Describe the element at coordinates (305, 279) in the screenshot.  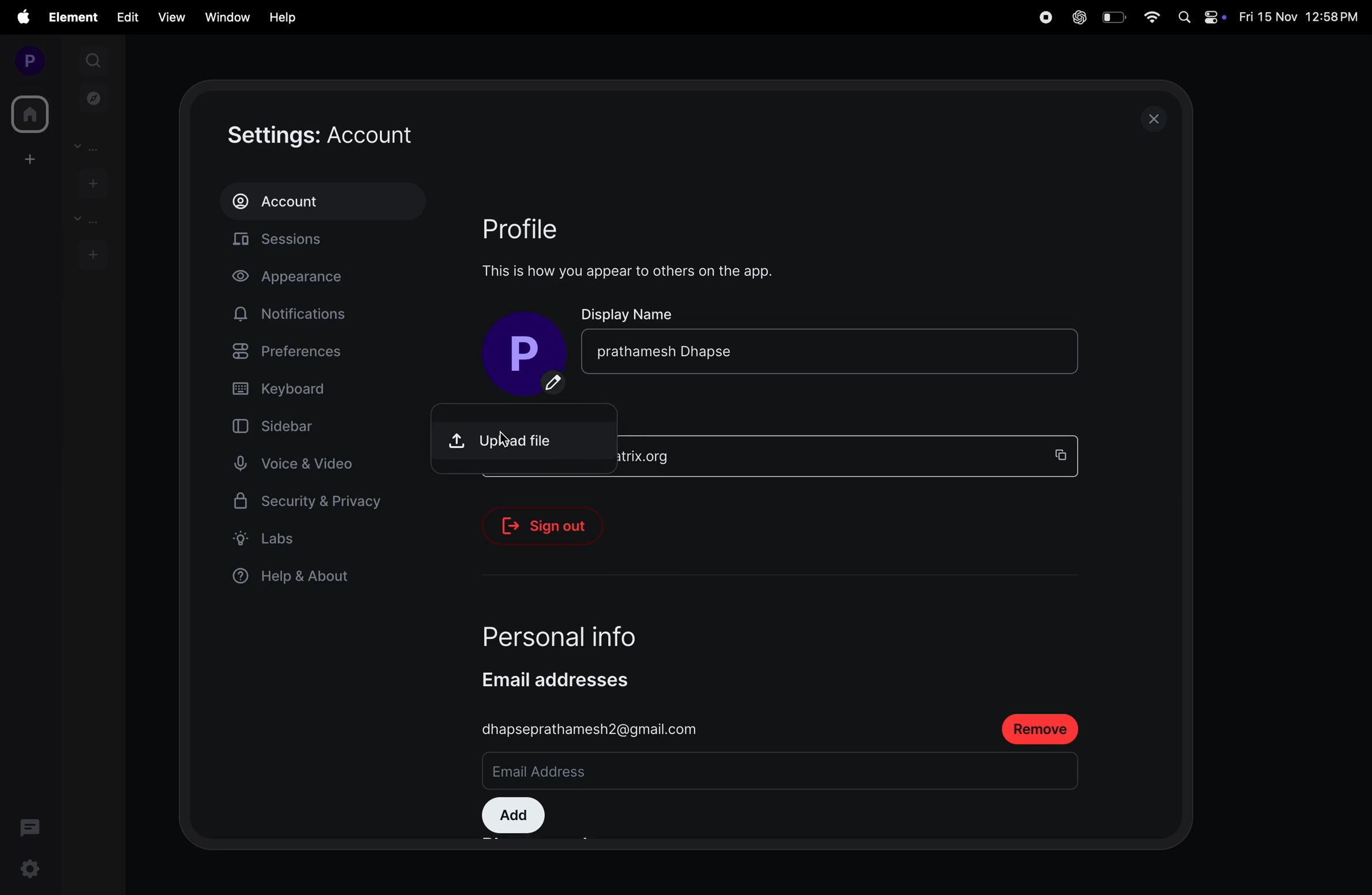
I see `apperance` at that location.